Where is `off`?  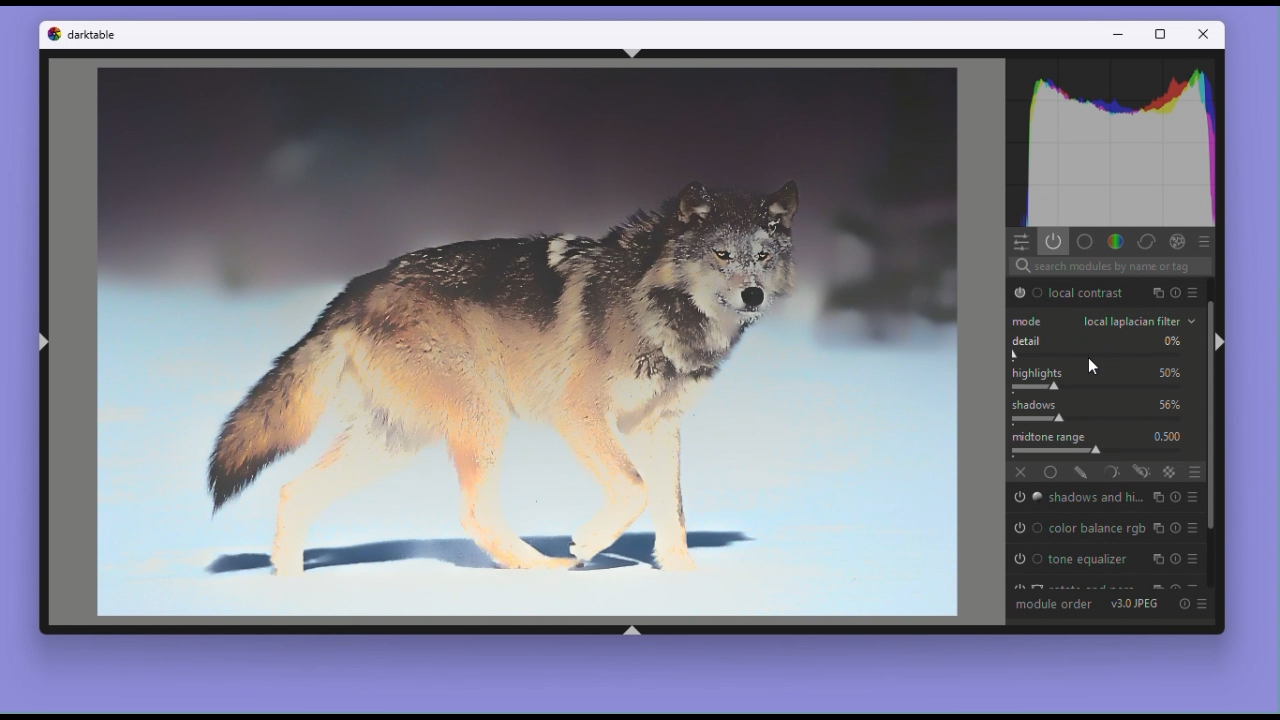
off is located at coordinates (1021, 475).